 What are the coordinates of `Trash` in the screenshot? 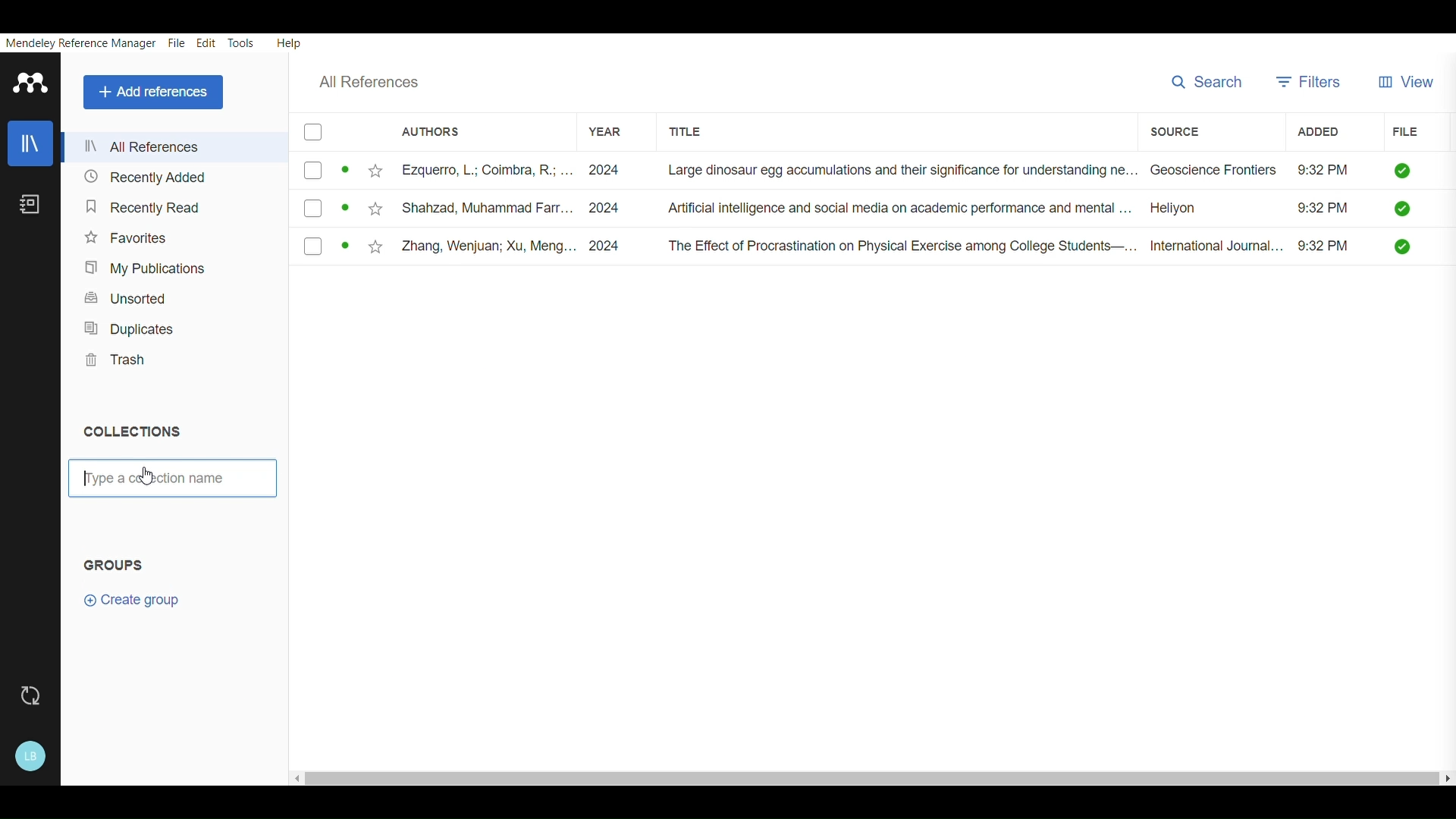 It's located at (117, 357).